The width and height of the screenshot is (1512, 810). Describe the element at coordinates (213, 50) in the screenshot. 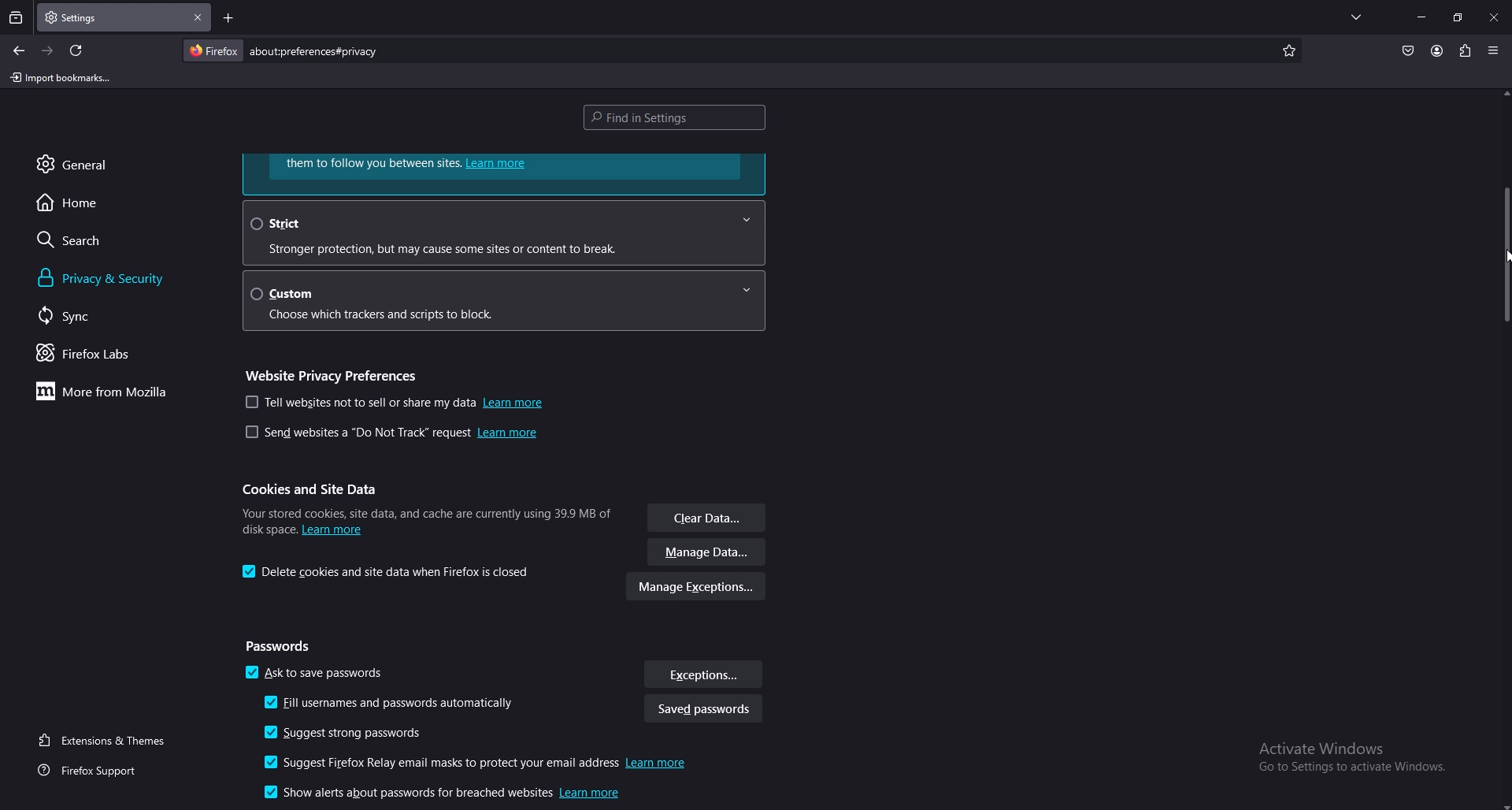

I see `firefox` at that location.